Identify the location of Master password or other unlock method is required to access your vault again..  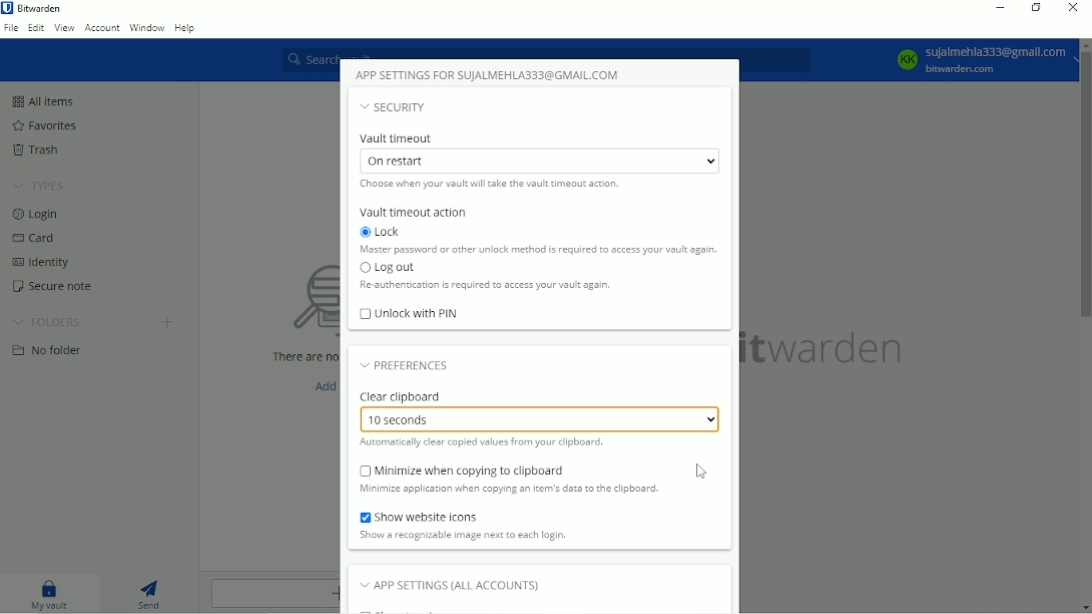
(540, 250).